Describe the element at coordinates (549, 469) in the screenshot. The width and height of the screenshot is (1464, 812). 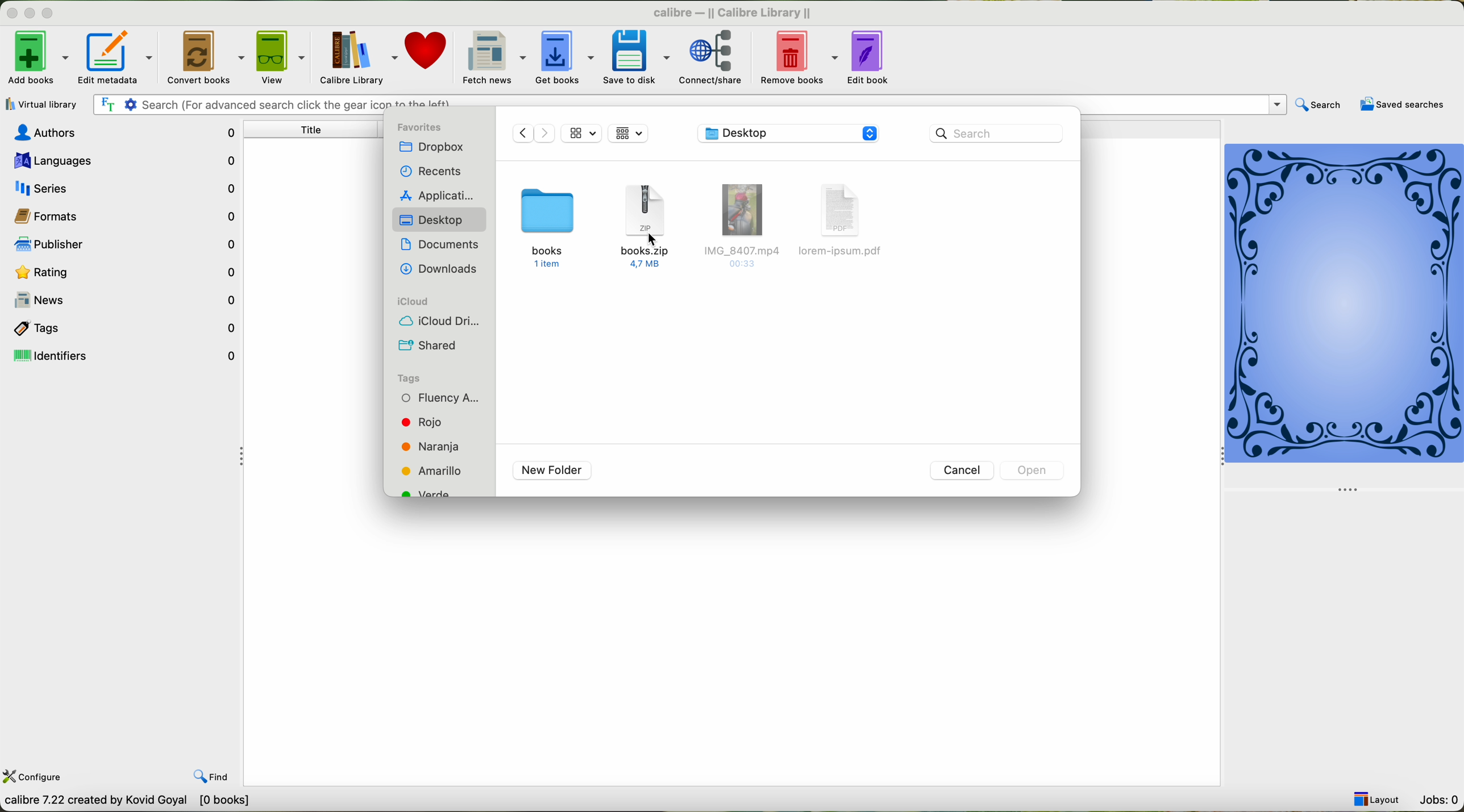
I see `new folder` at that location.